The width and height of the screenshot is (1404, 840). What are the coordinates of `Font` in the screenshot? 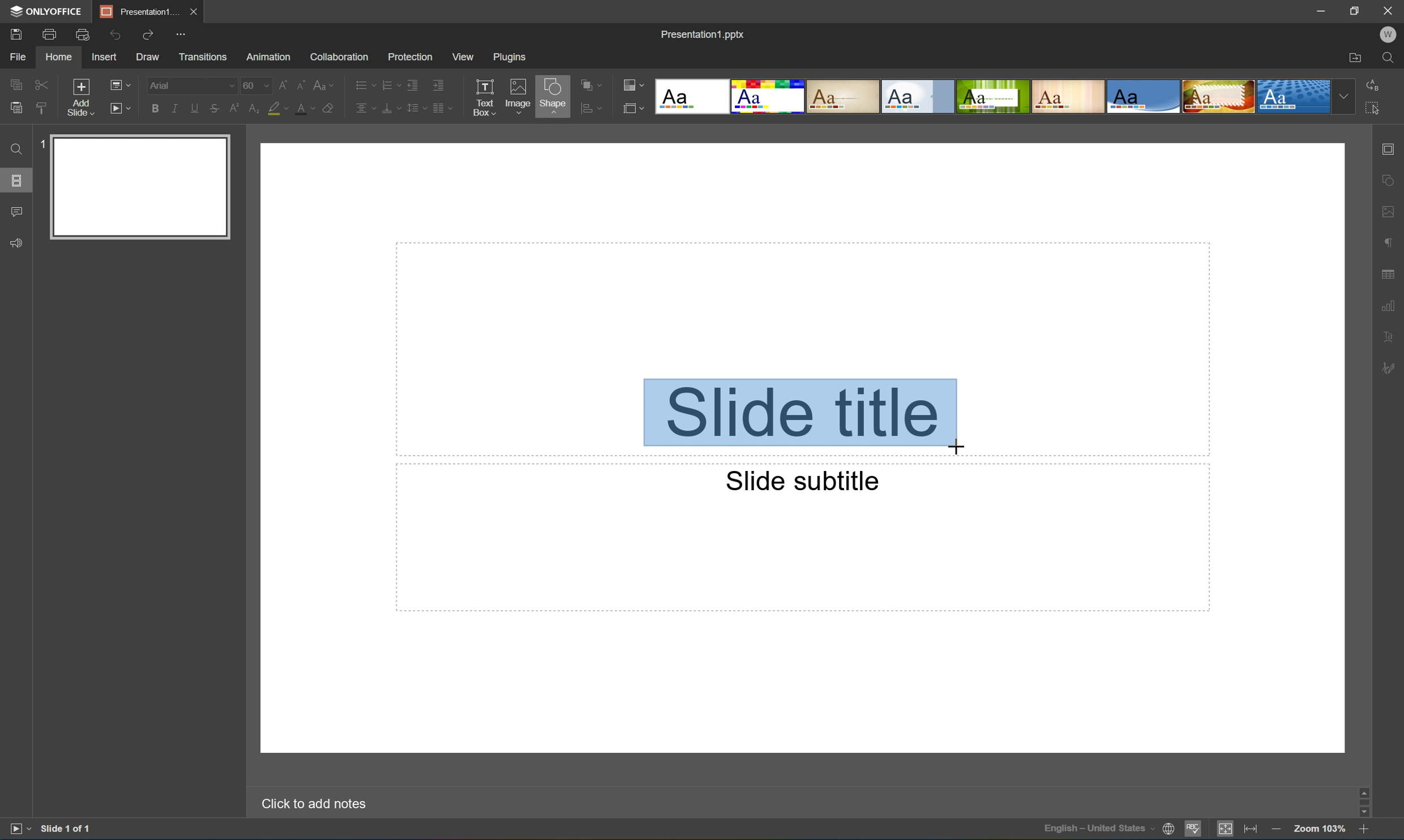 It's located at (191, 85).